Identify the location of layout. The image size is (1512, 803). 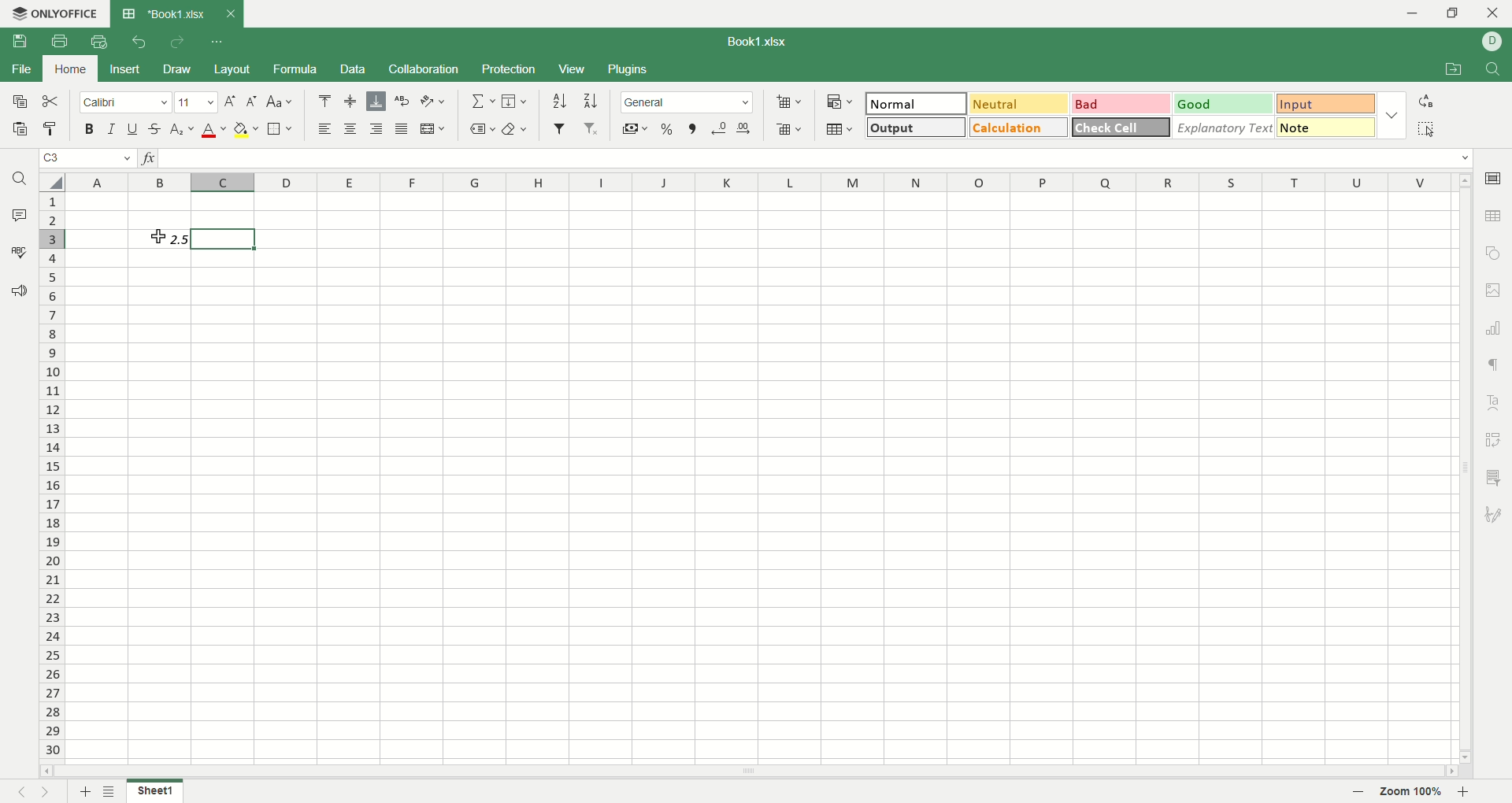
(234, 70).